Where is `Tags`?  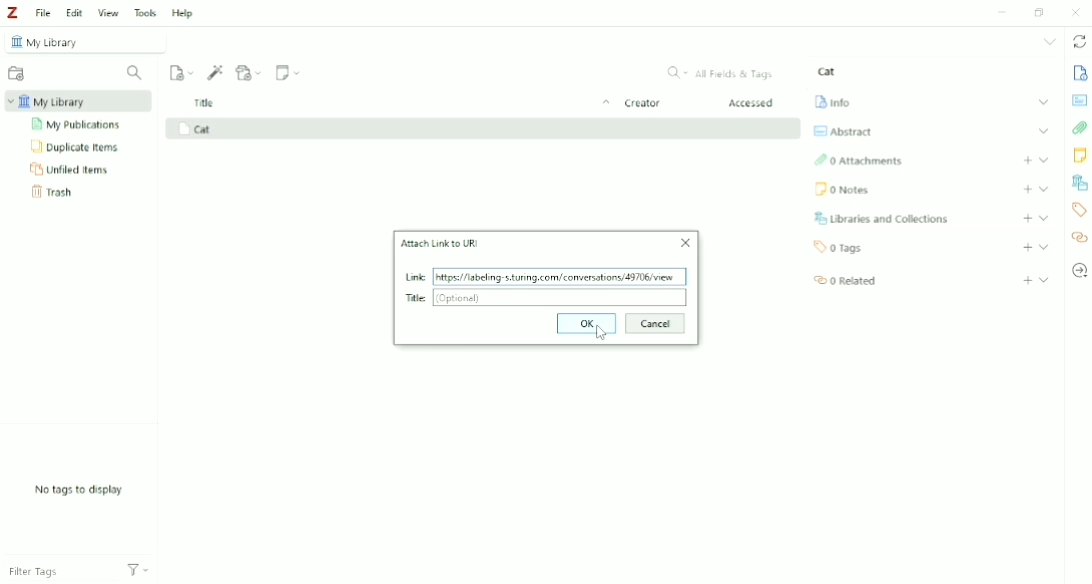 Tags is located at coordinates (839, 247).